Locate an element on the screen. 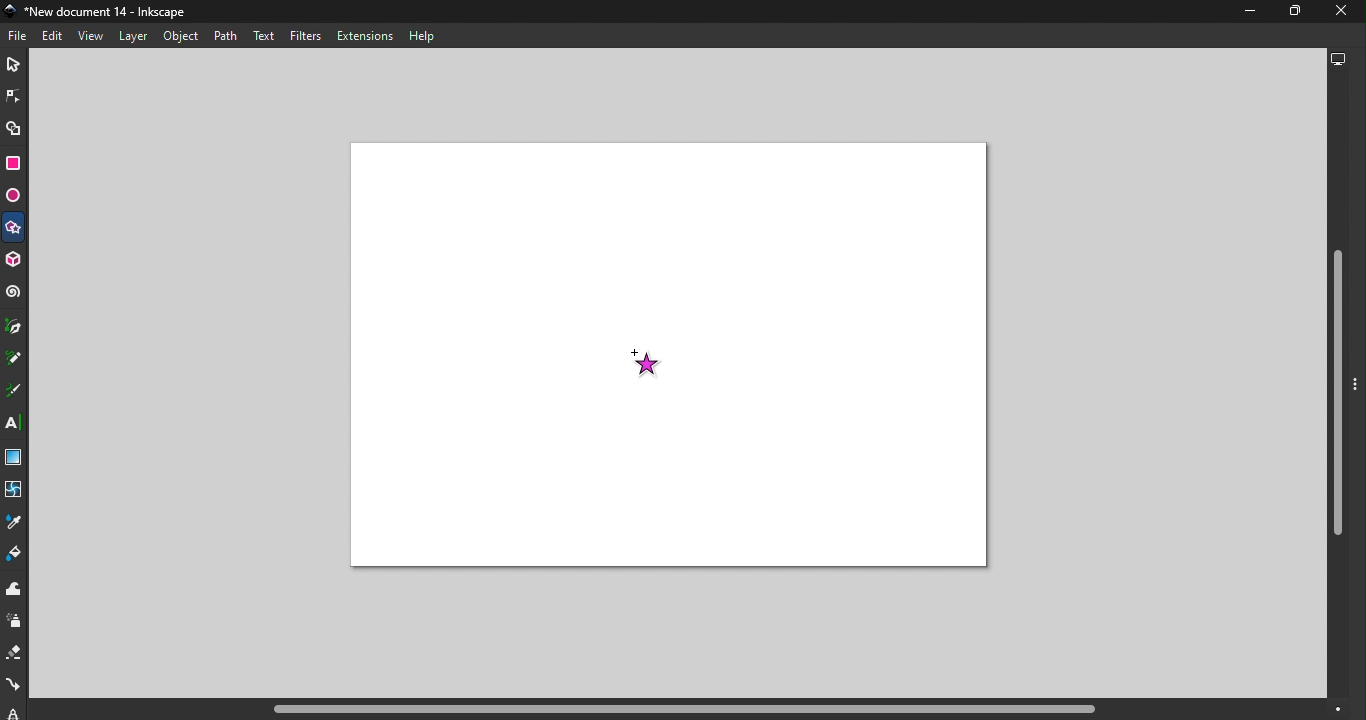  Text is located at coordinates (263, 35).